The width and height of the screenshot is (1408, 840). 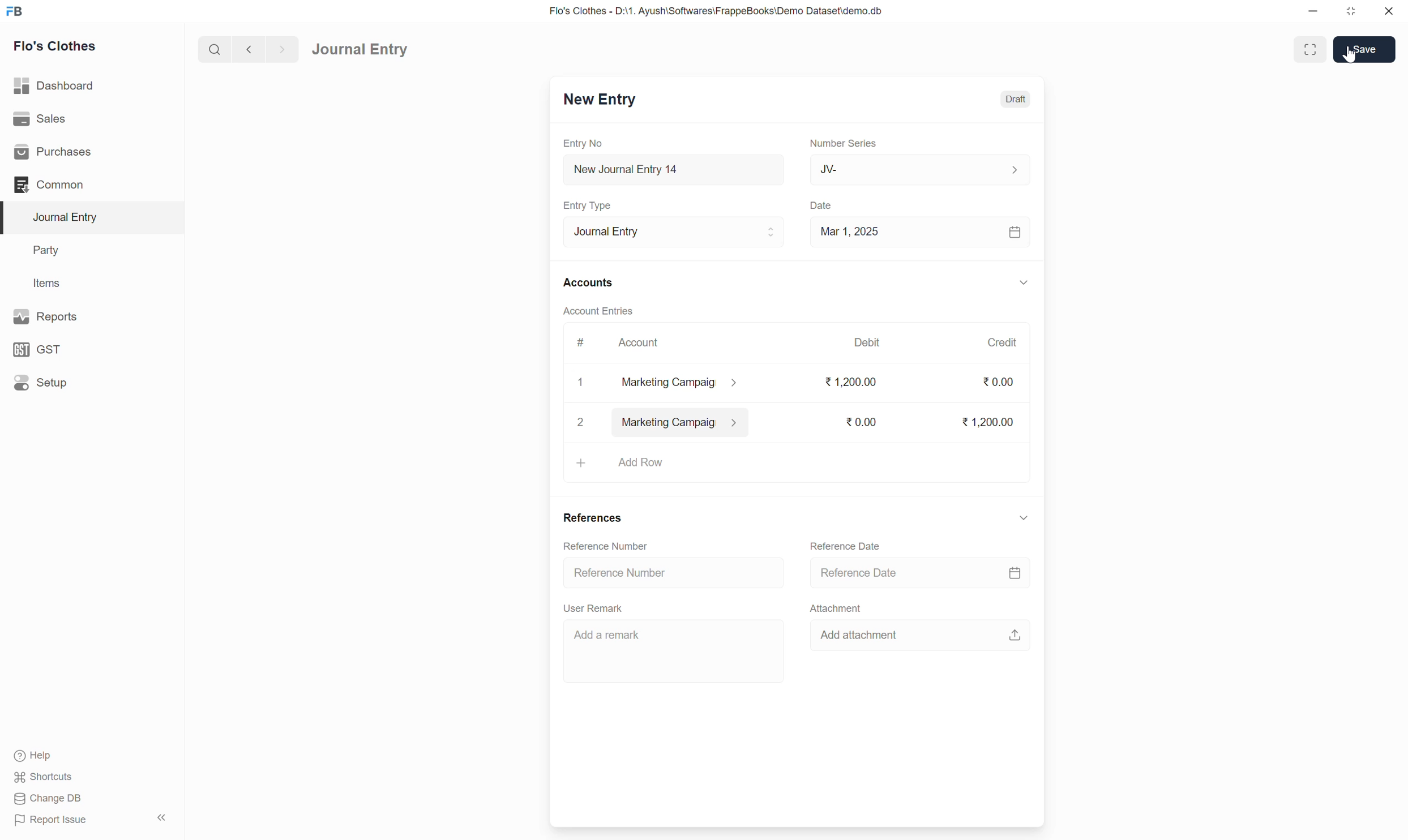 What do you see at coordinates (600, 98) in the screenshot?
I see `New Entry` at bounding box center [600, 98].